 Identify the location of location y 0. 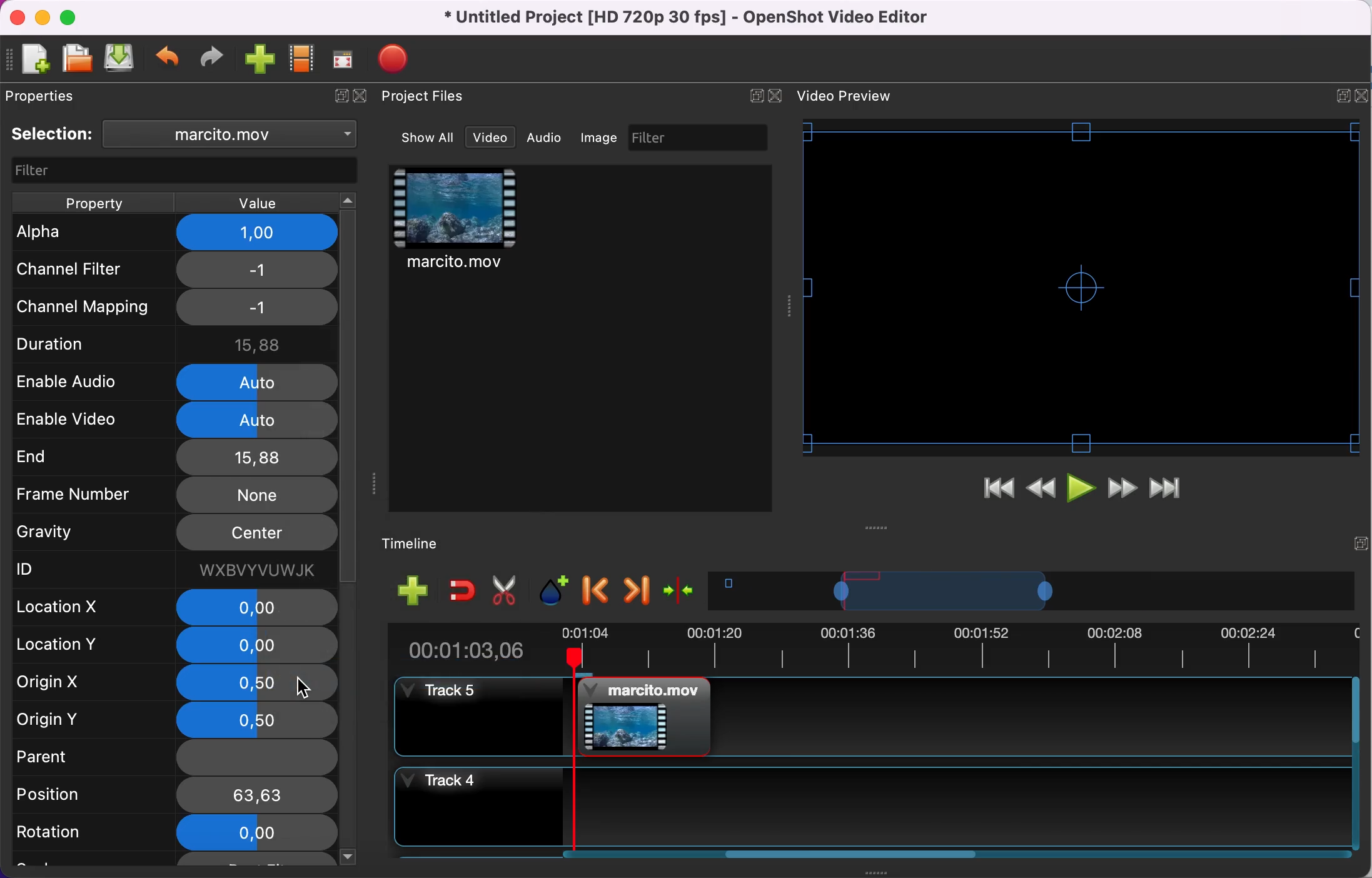
(171, 647).